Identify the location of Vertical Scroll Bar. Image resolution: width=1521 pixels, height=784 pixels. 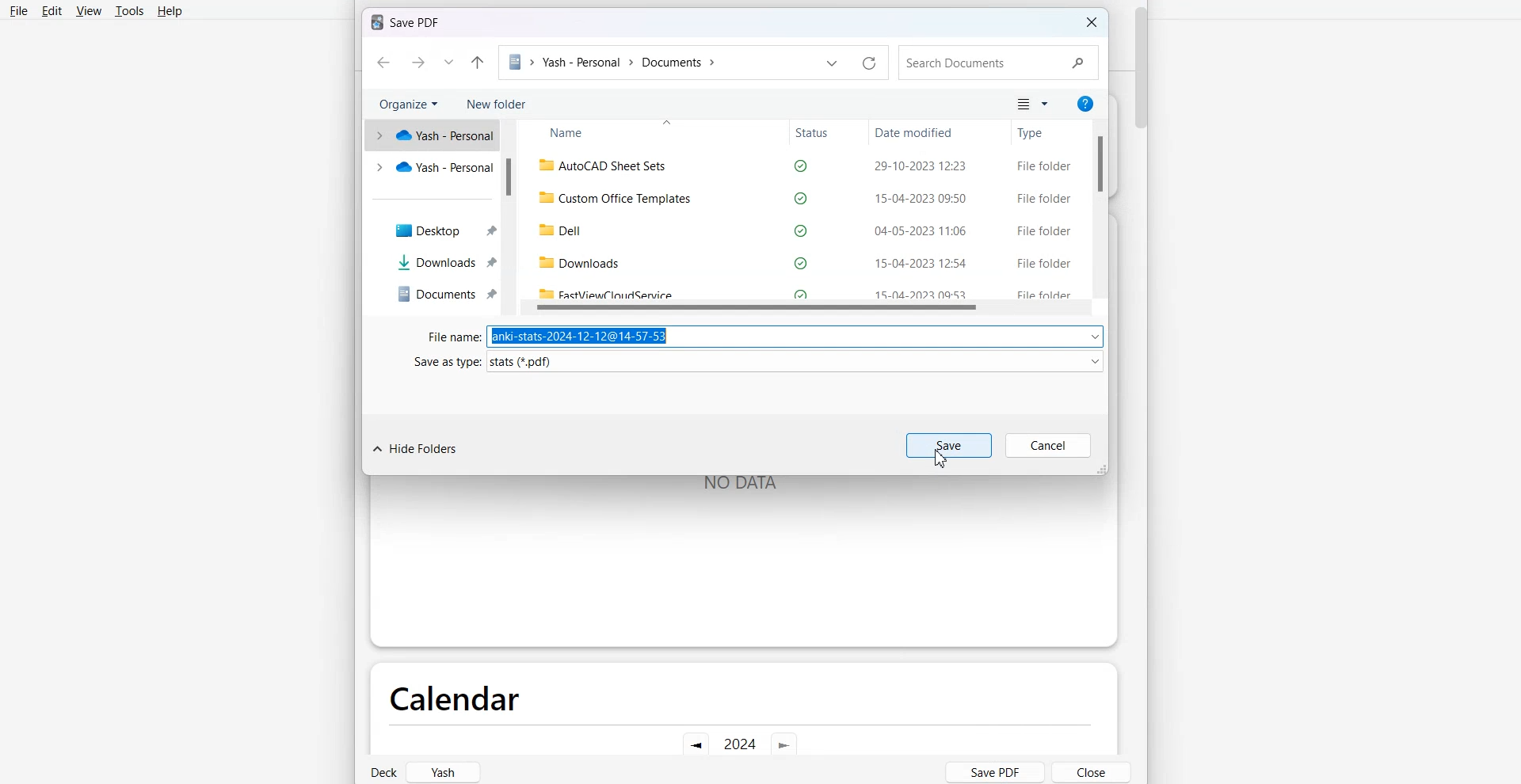
(1100, 209).